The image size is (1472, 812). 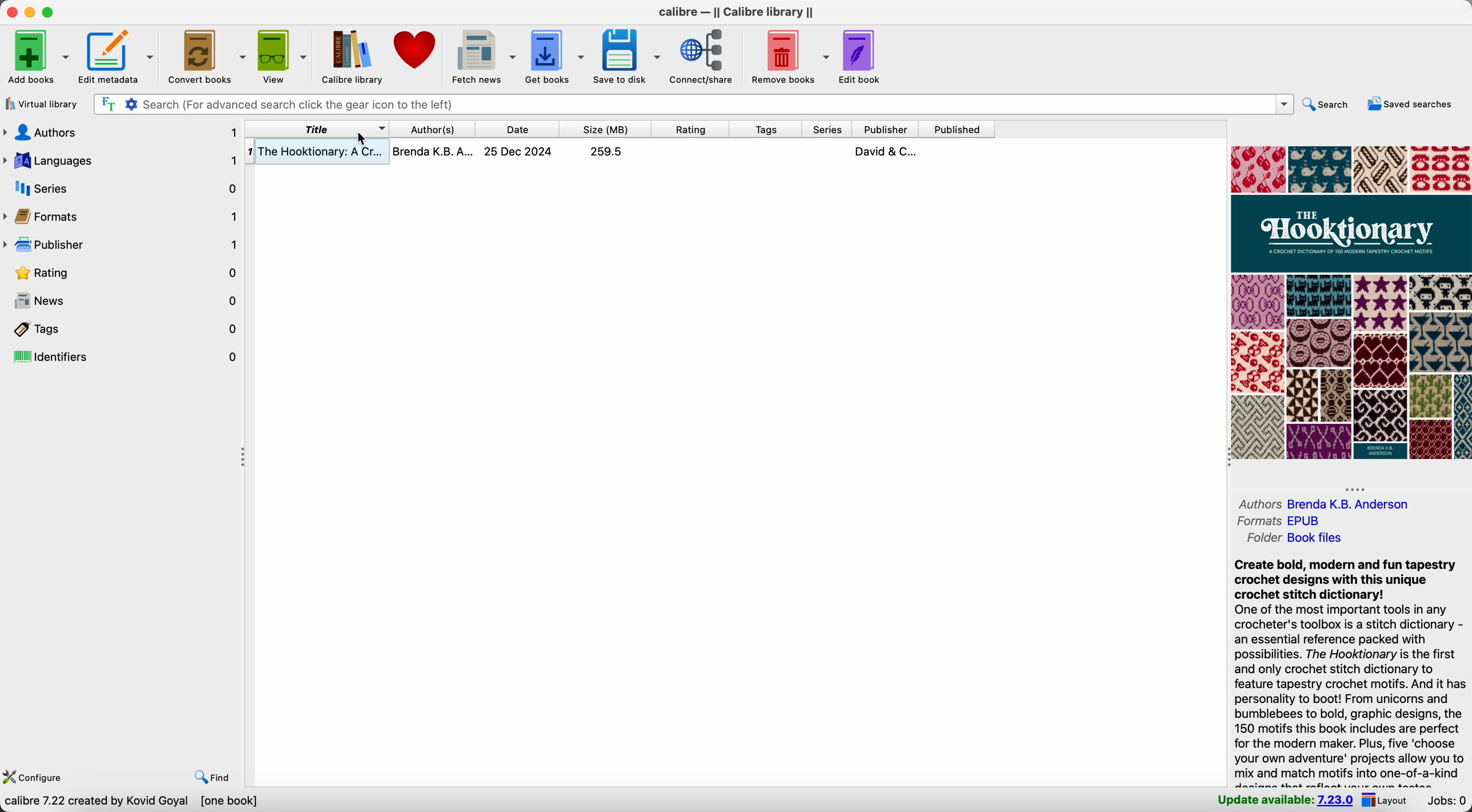 I want to click on edit book, so click(x=862, y=58).